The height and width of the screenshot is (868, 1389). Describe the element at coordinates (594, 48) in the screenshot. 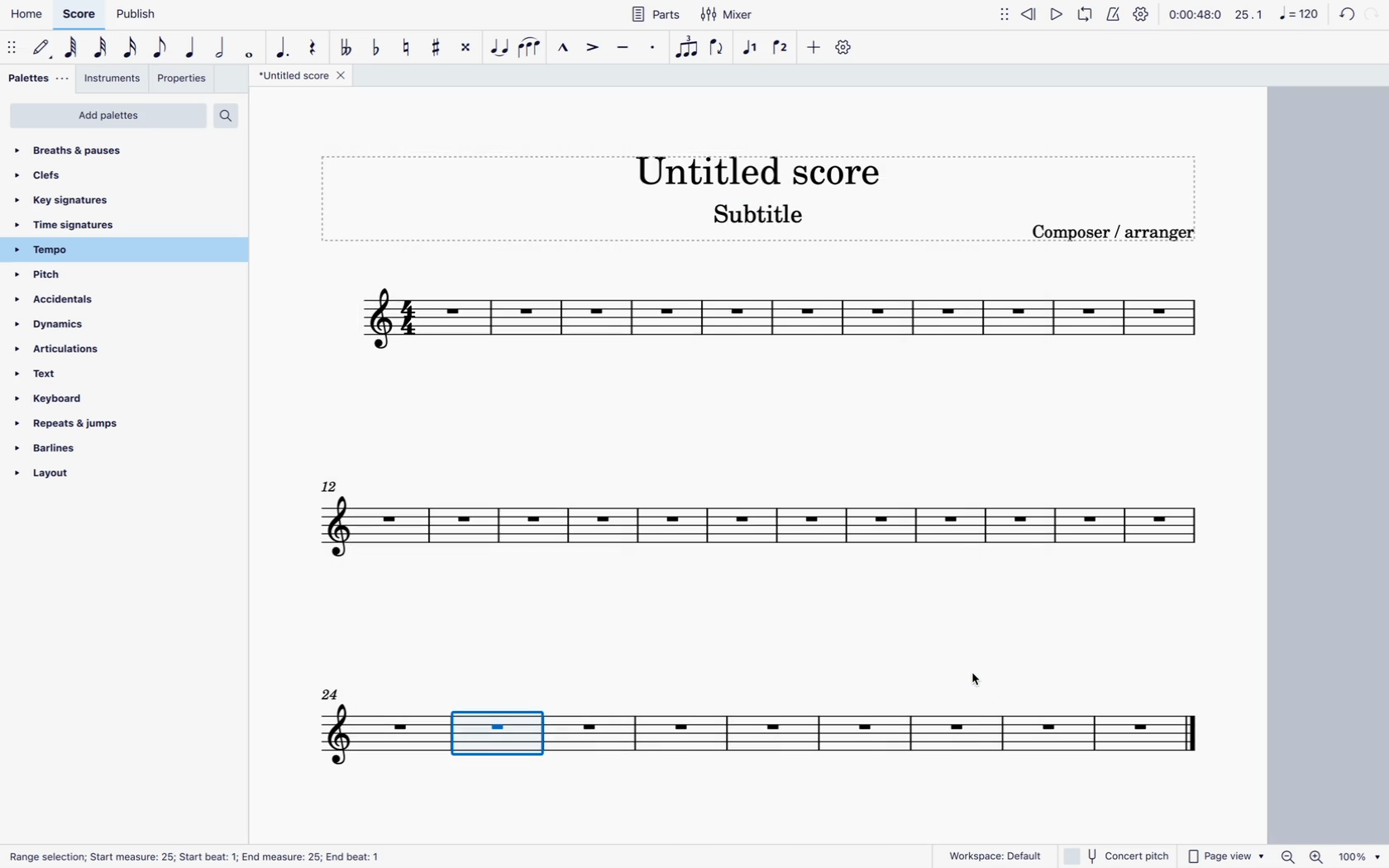

I see `accent` at that location.